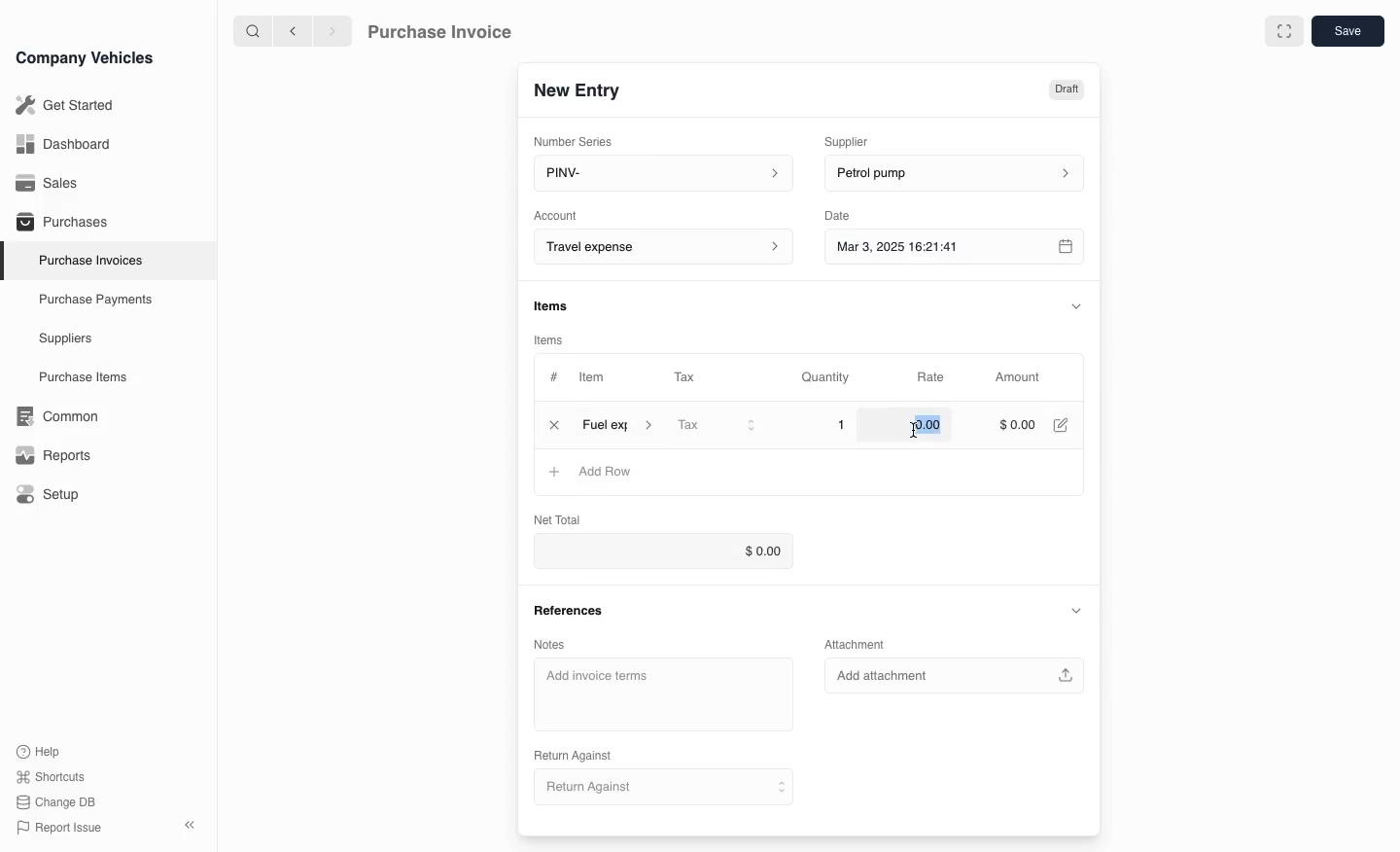 The height and width of the screenshot is (852, 1400). I want to click on full screen, so click(1283, 31).